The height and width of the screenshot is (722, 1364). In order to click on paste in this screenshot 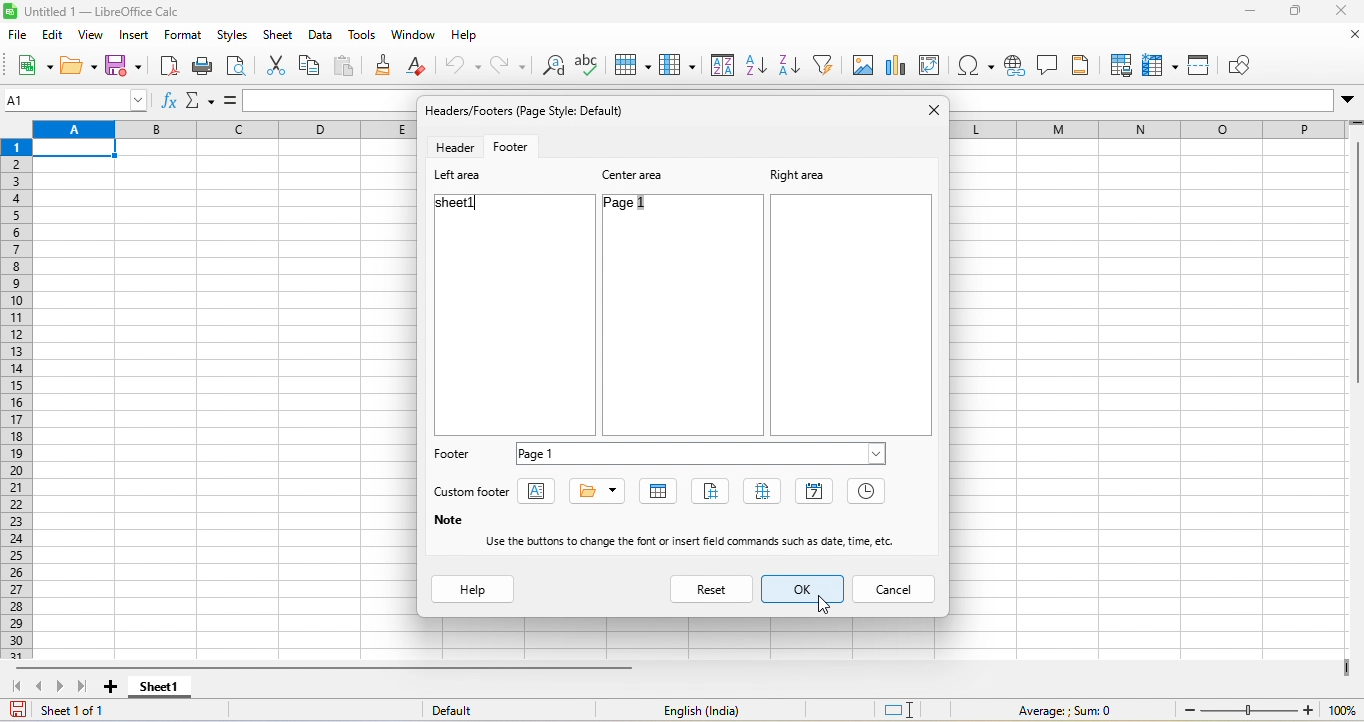, I will do `click(349, 67)`.